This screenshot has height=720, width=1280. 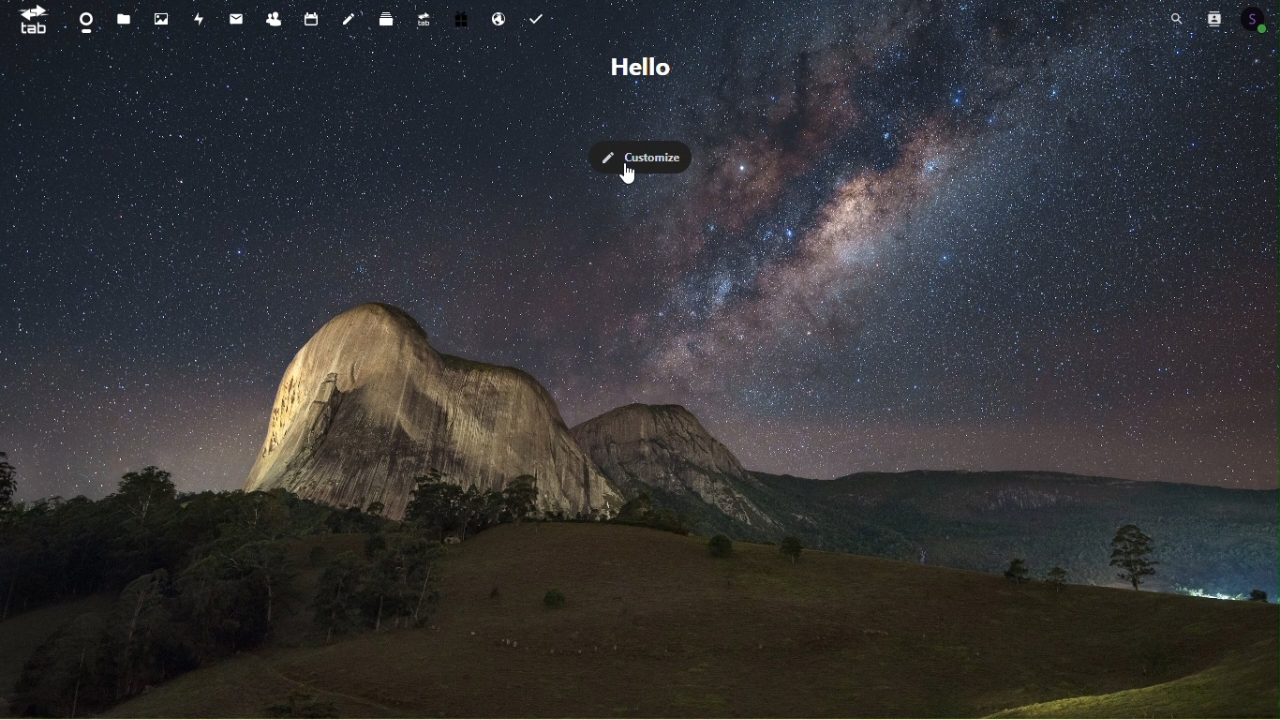 I want to click on Notes, so click(x=348, y=19).